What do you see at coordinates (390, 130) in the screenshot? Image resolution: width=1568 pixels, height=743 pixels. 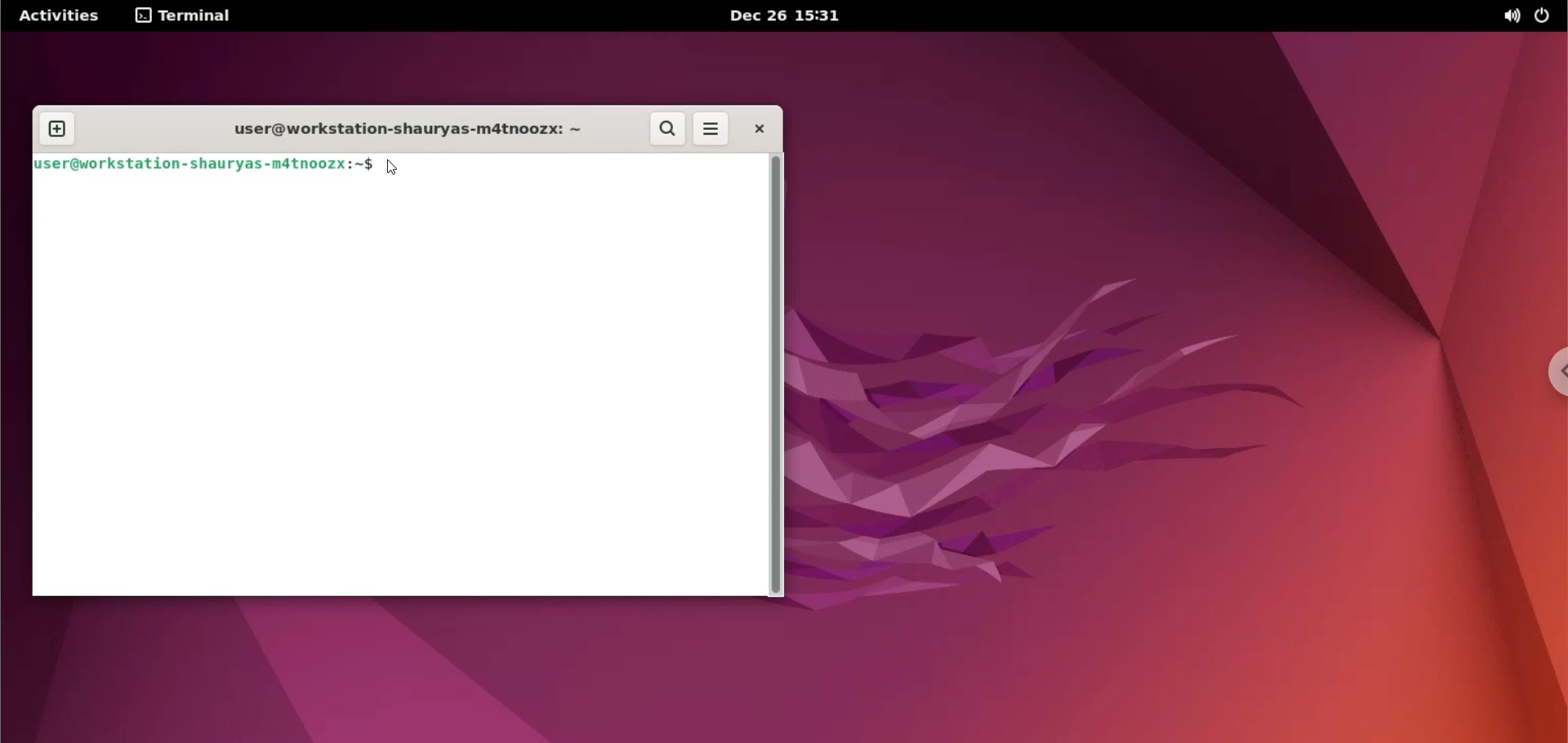 I see `user@workstation-shauryas-mdtnoozx:~` at bounding box center [390, 130].